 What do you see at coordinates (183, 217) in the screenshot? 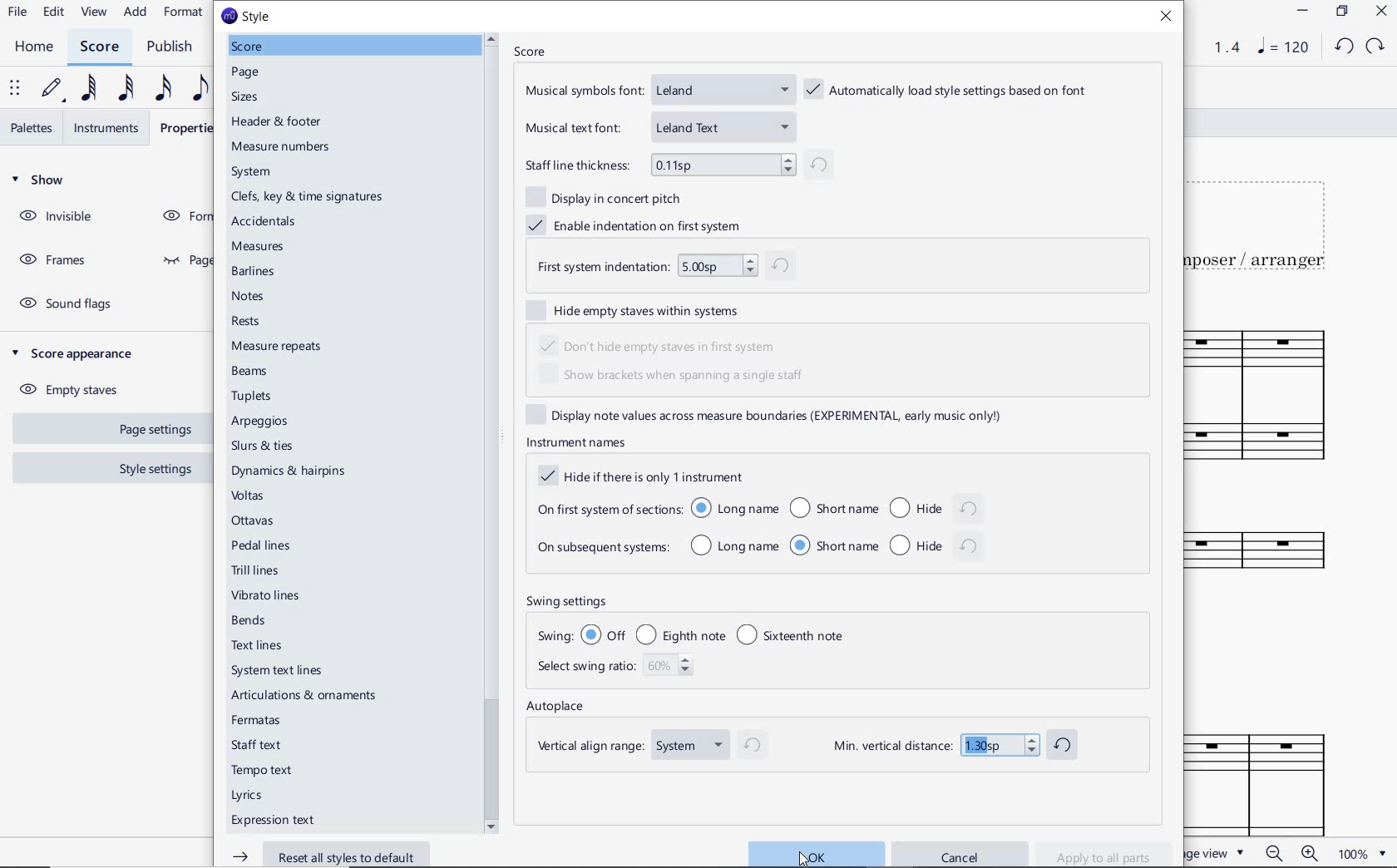
I see `FORMATTING` at bounding box center [183, 217].